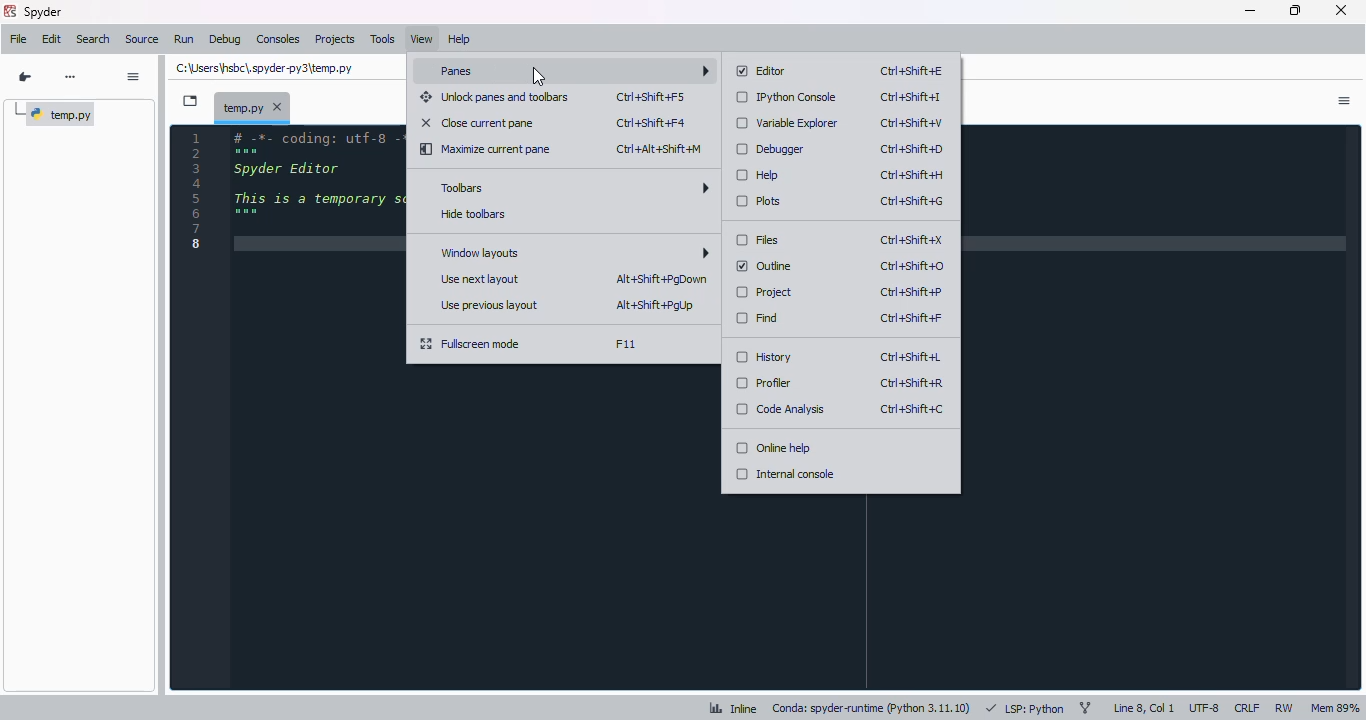 This screenshot has width=1366, height=720. Describe the element at coordinates (912, 357) in the screenshot. I see `shortcut for history` at that location.